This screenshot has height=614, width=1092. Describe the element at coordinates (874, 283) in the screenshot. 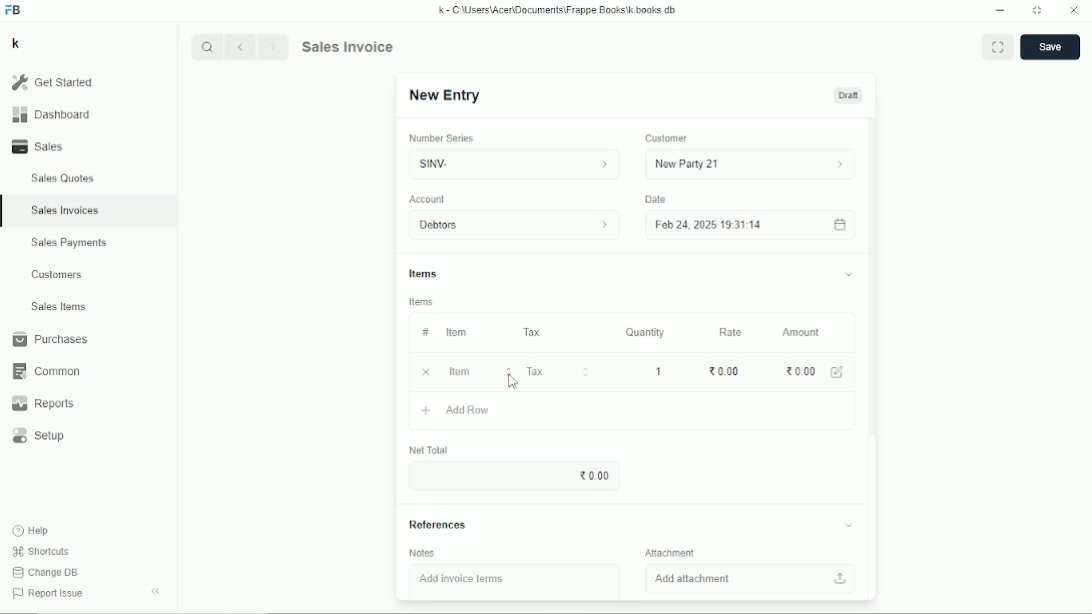

I see `Vertical scrollbar` at that location.